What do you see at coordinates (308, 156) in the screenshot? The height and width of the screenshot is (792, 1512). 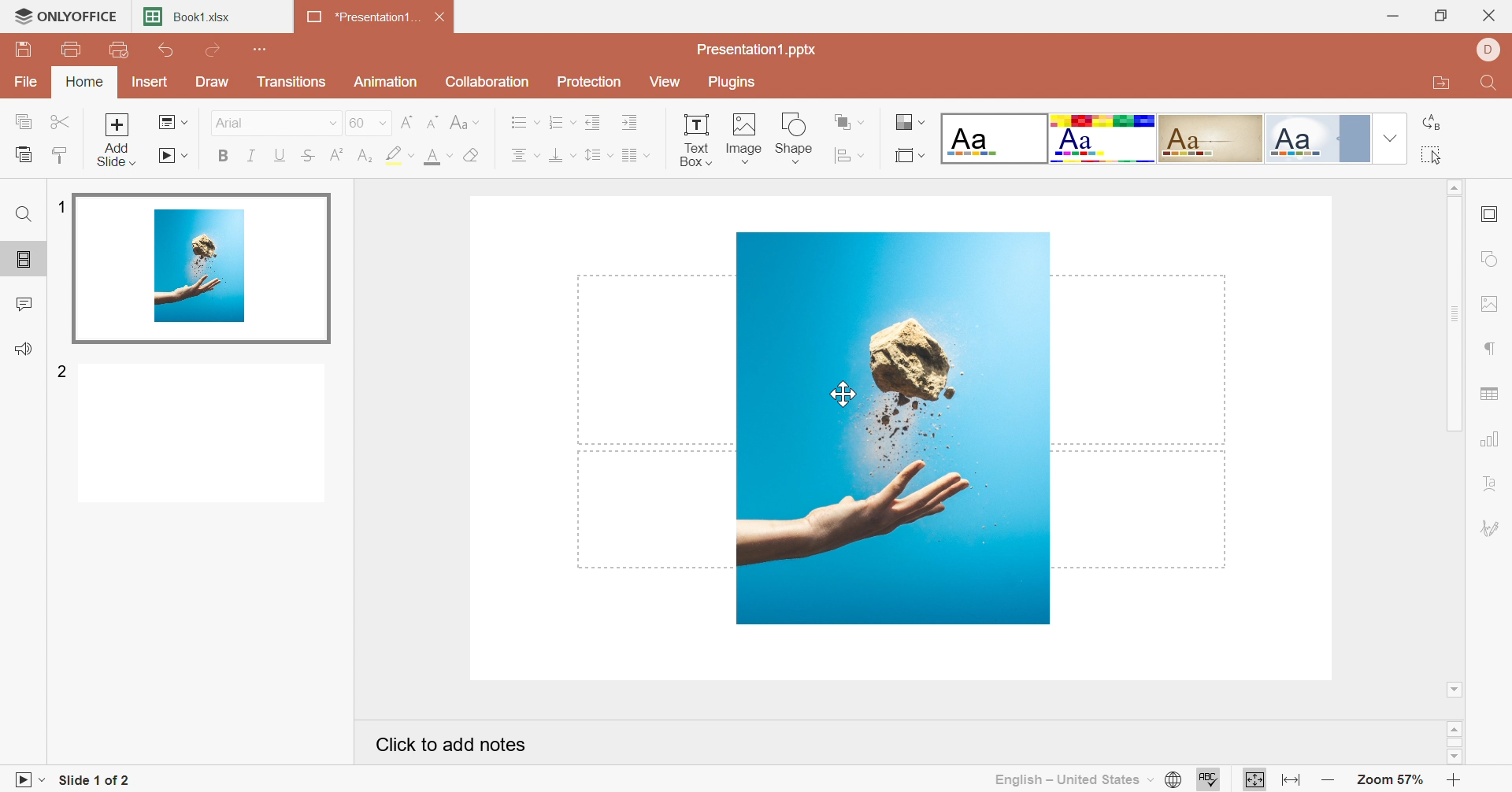 I see `Strikethrough` at bounding box center [308, 156].